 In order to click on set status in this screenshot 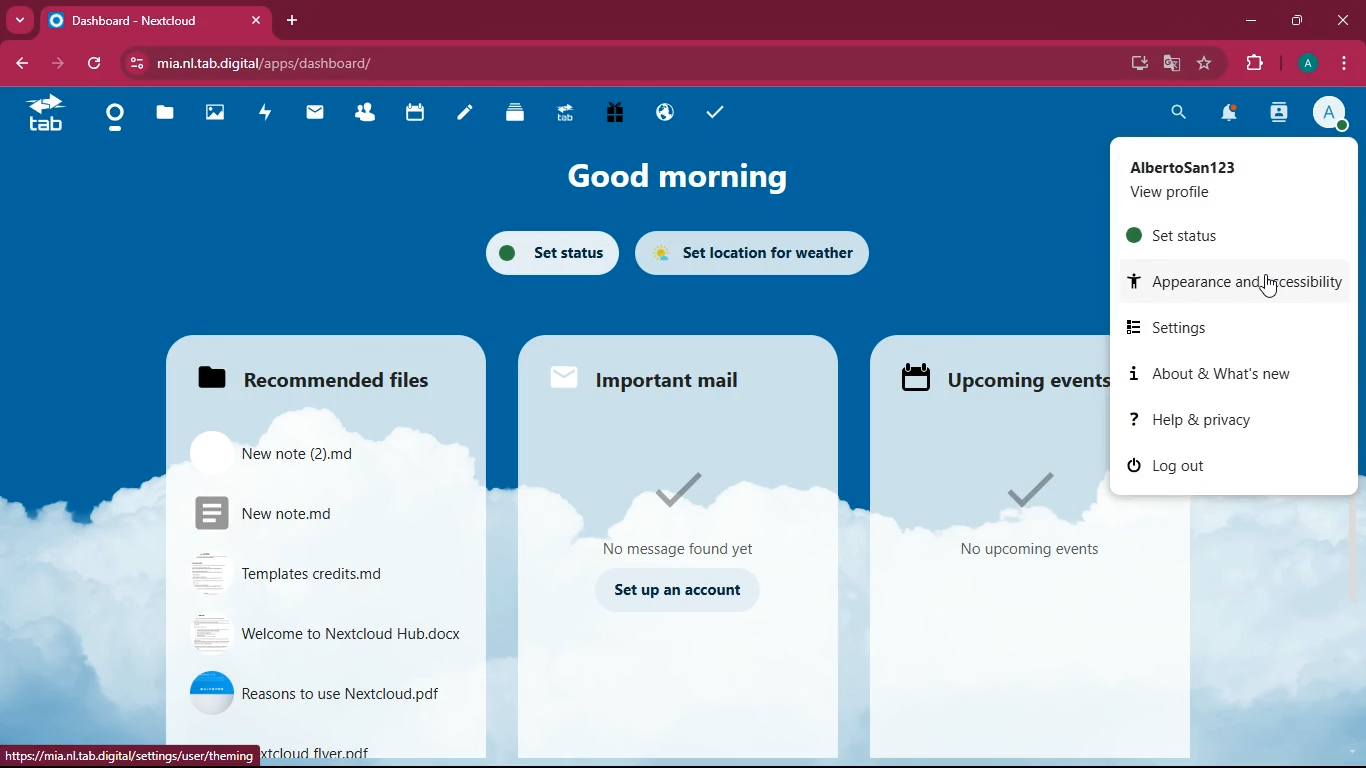, I will do `click(544, 256)`.